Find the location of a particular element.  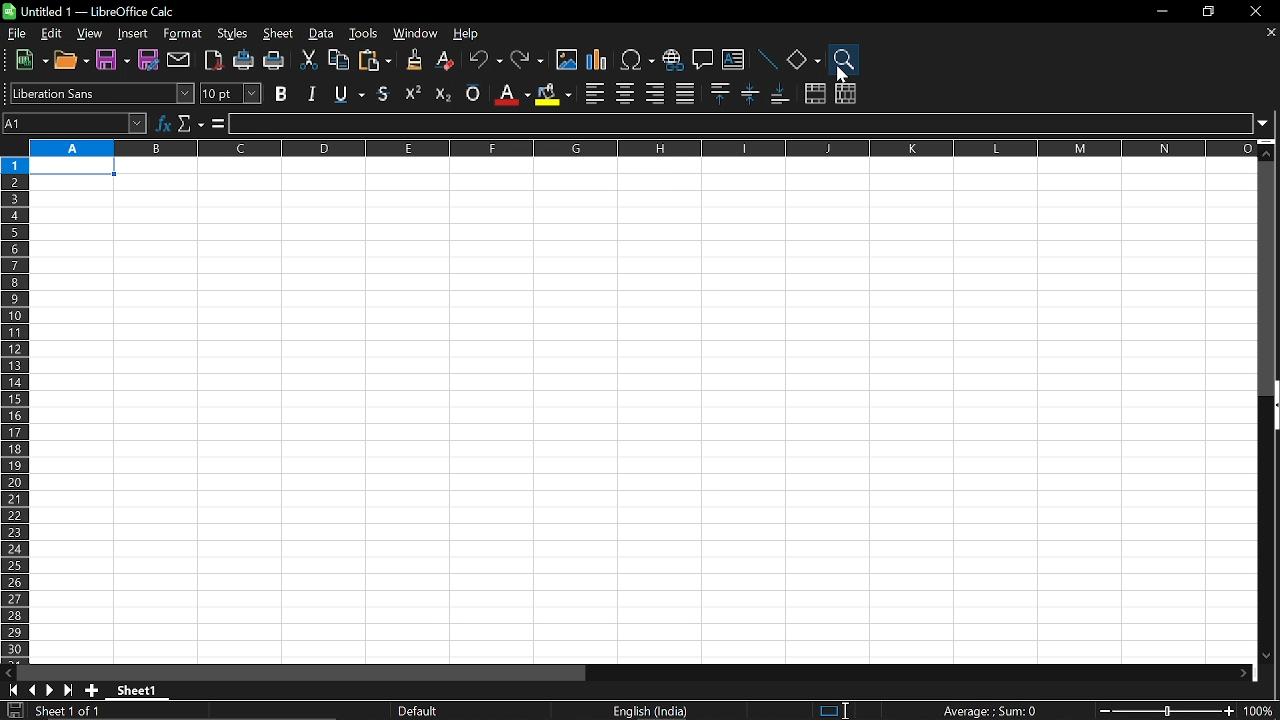

eraser is located at coordinates (446, 61).